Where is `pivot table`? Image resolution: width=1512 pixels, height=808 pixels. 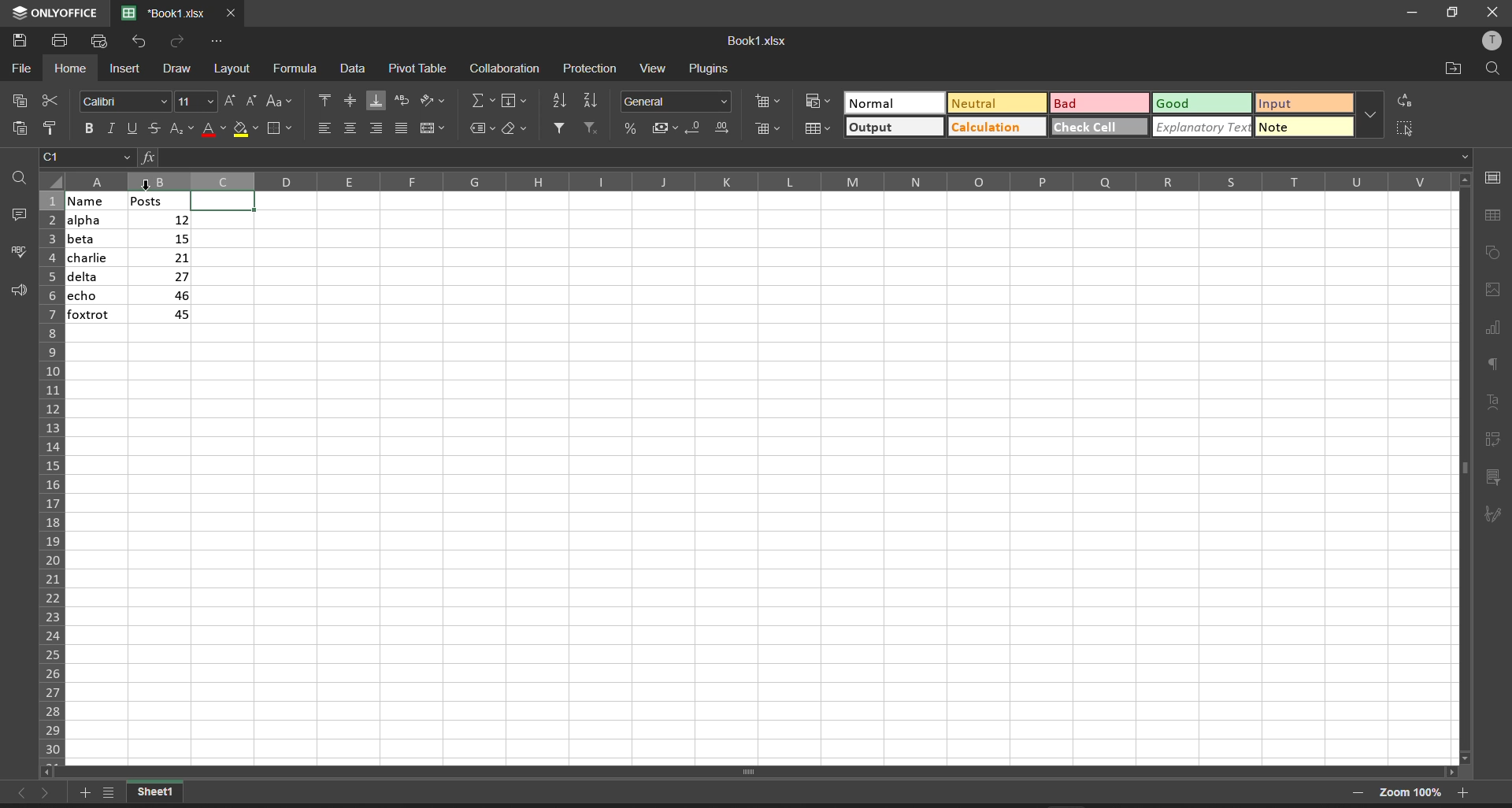
pivot table is located at coordinates (421, 68).